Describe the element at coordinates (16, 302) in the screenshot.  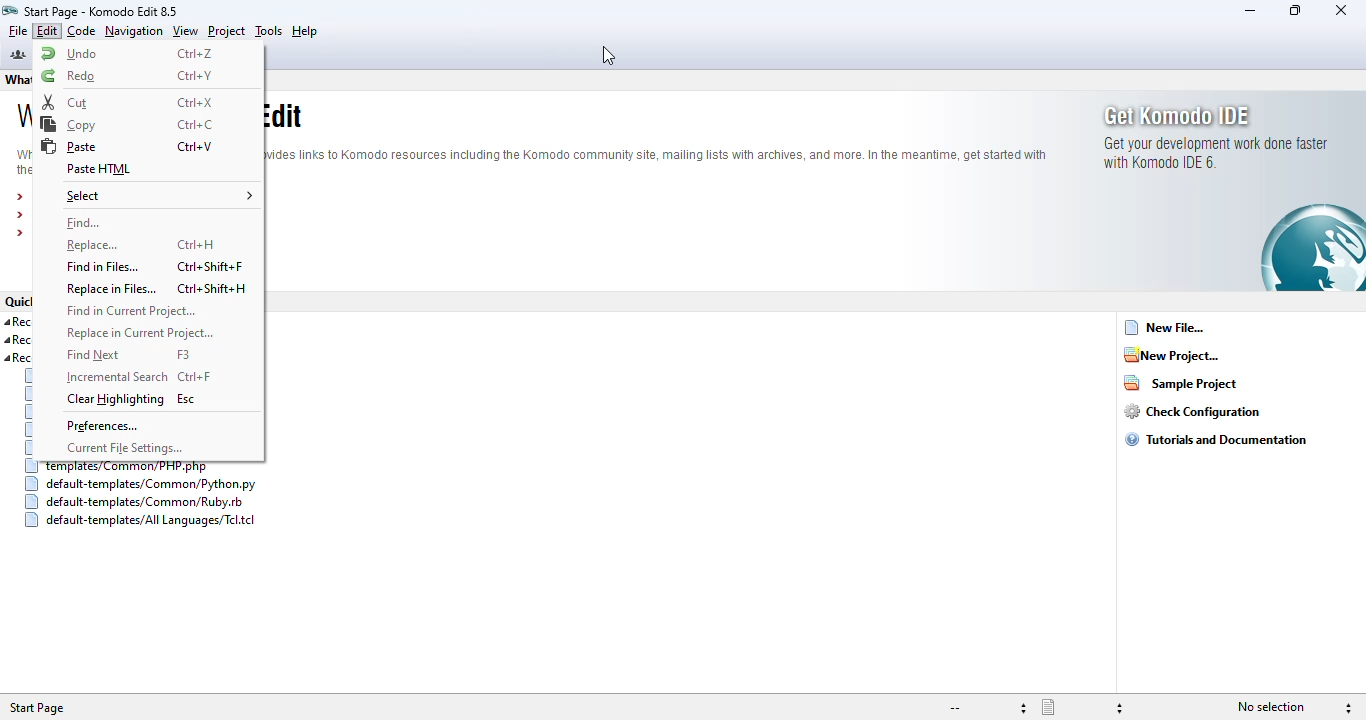
I see `quick links` at that location.